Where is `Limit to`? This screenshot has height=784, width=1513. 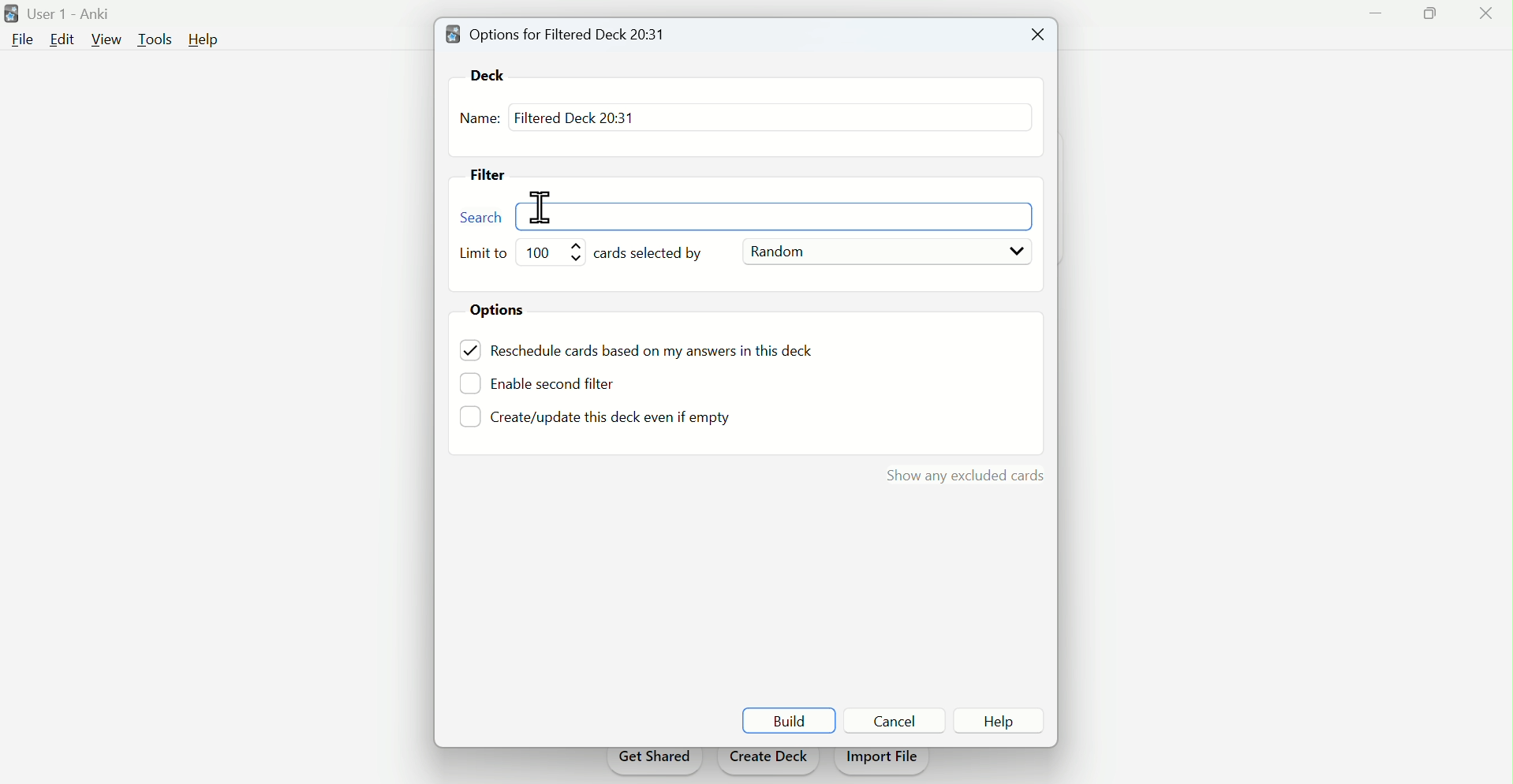 Limit to is located at coordinates (486, 254).